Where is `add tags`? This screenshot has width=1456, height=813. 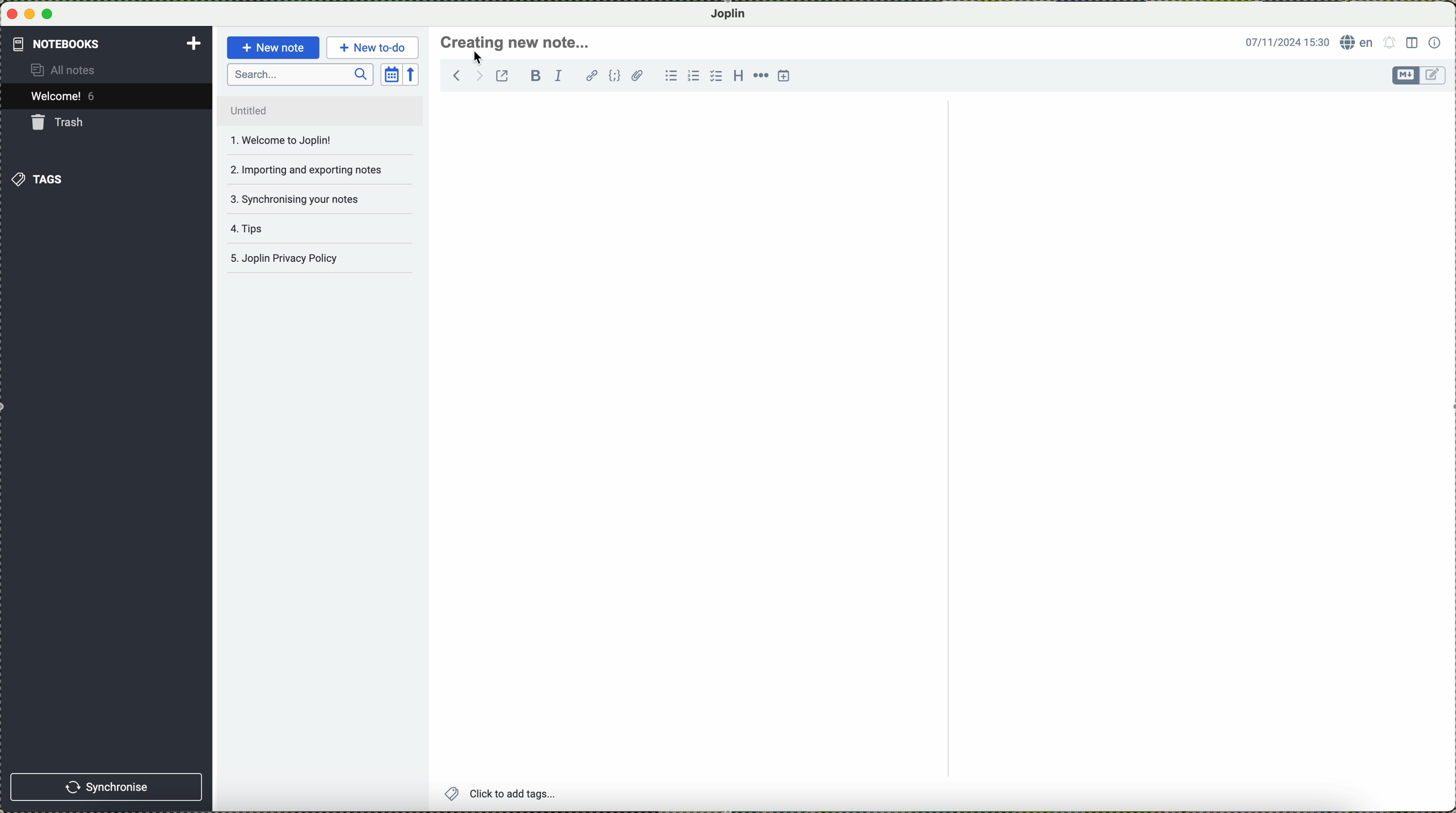
add tags is located at coordinates (500, 794).